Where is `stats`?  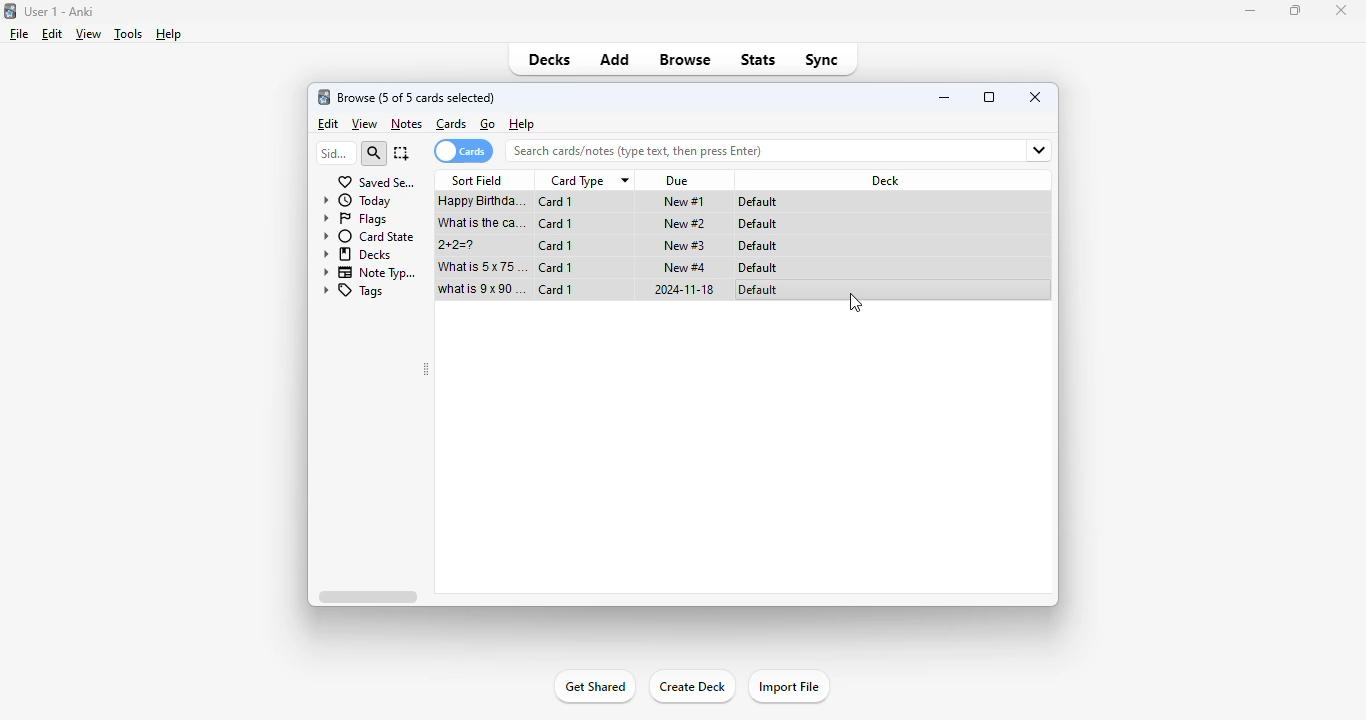
stats is located at coordinates (759, 59).